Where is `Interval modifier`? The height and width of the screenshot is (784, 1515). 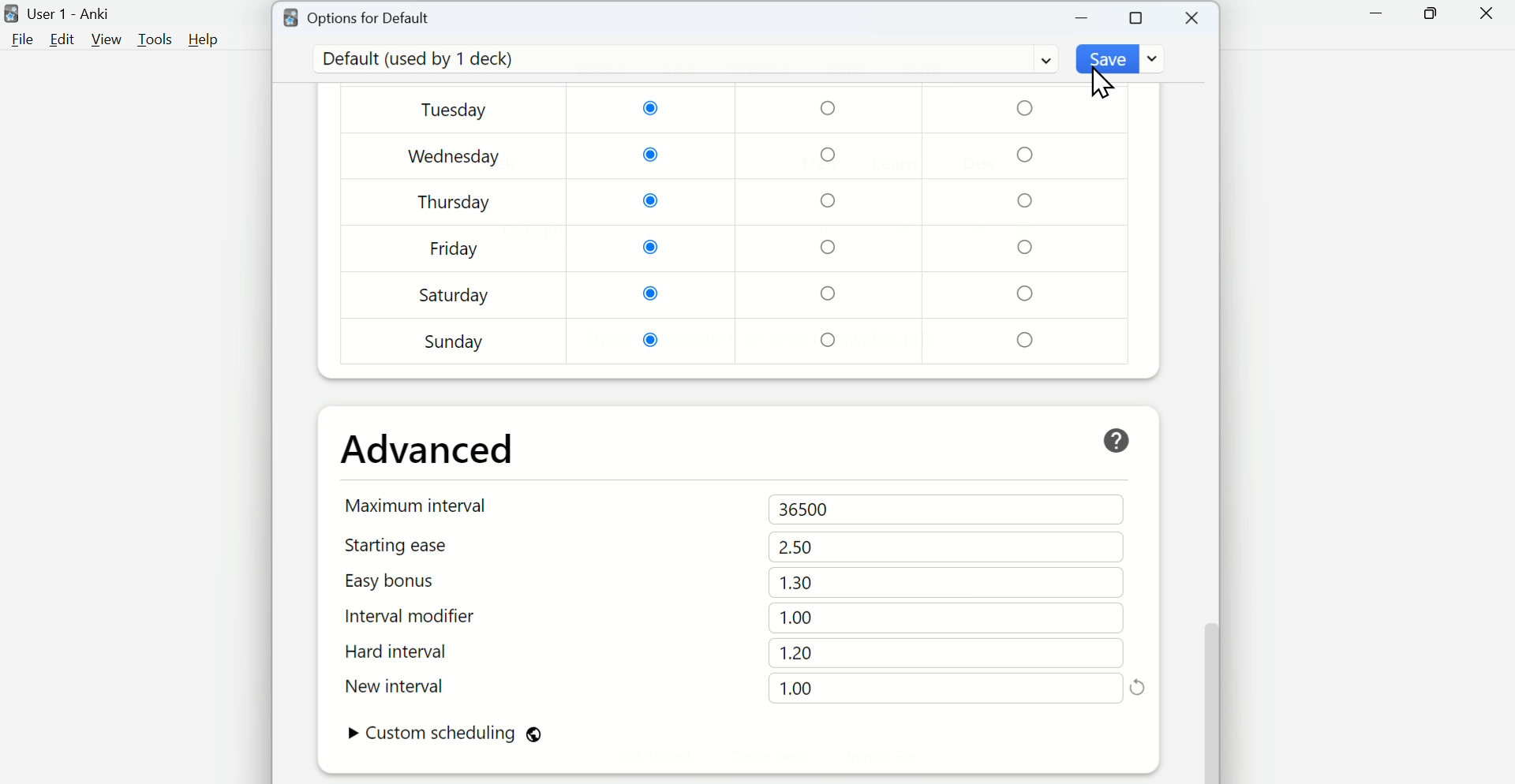
Interval modifier is located at coordinates (417, 617).